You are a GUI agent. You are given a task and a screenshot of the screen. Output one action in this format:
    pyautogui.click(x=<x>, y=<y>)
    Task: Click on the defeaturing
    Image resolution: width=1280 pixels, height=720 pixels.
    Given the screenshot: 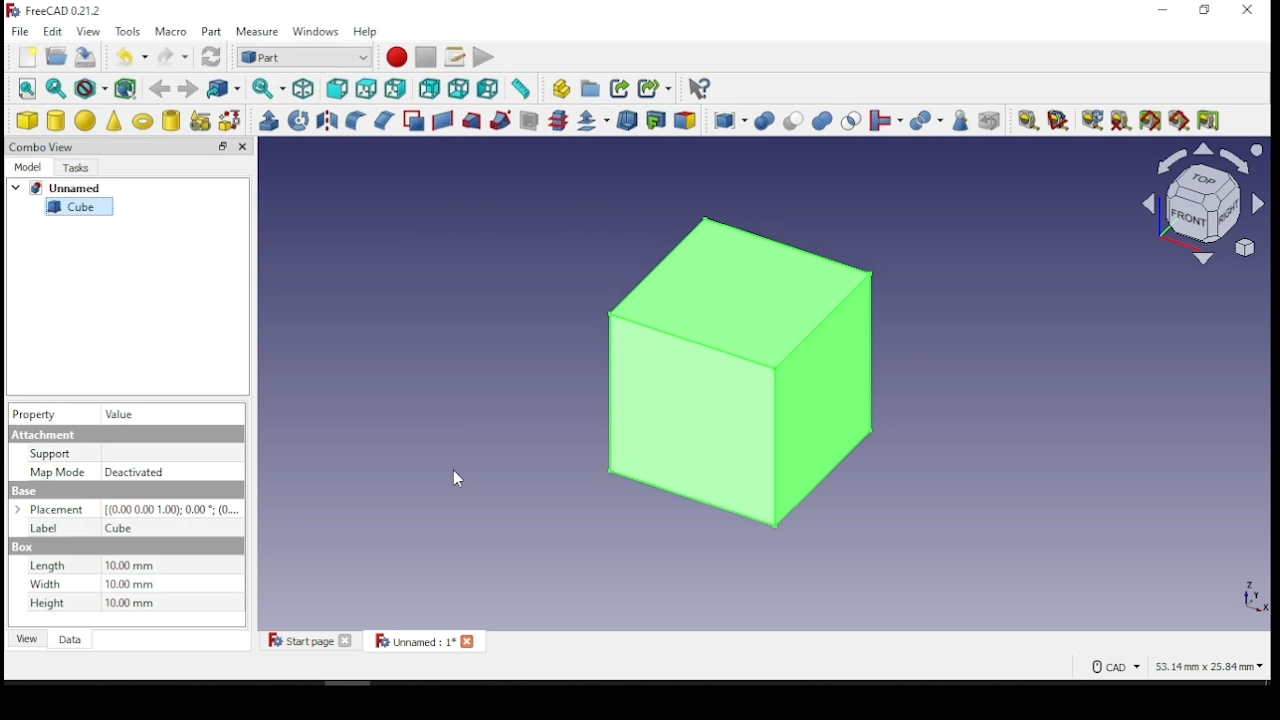 What is the action you would take?
    pyautogui.click(x=990, y=121)
    